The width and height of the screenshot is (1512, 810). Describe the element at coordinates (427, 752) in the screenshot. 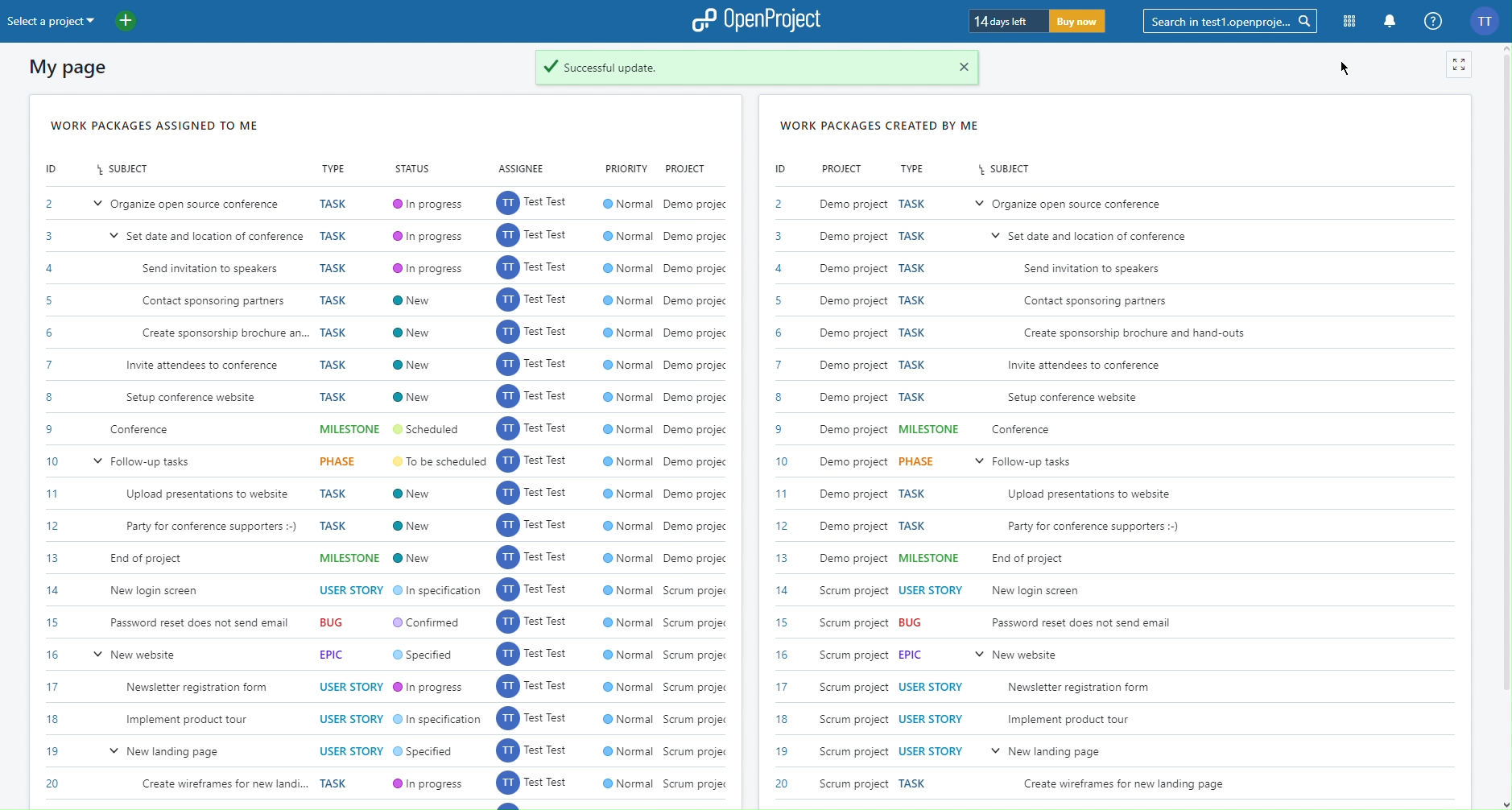

I see `Specified` at that location.